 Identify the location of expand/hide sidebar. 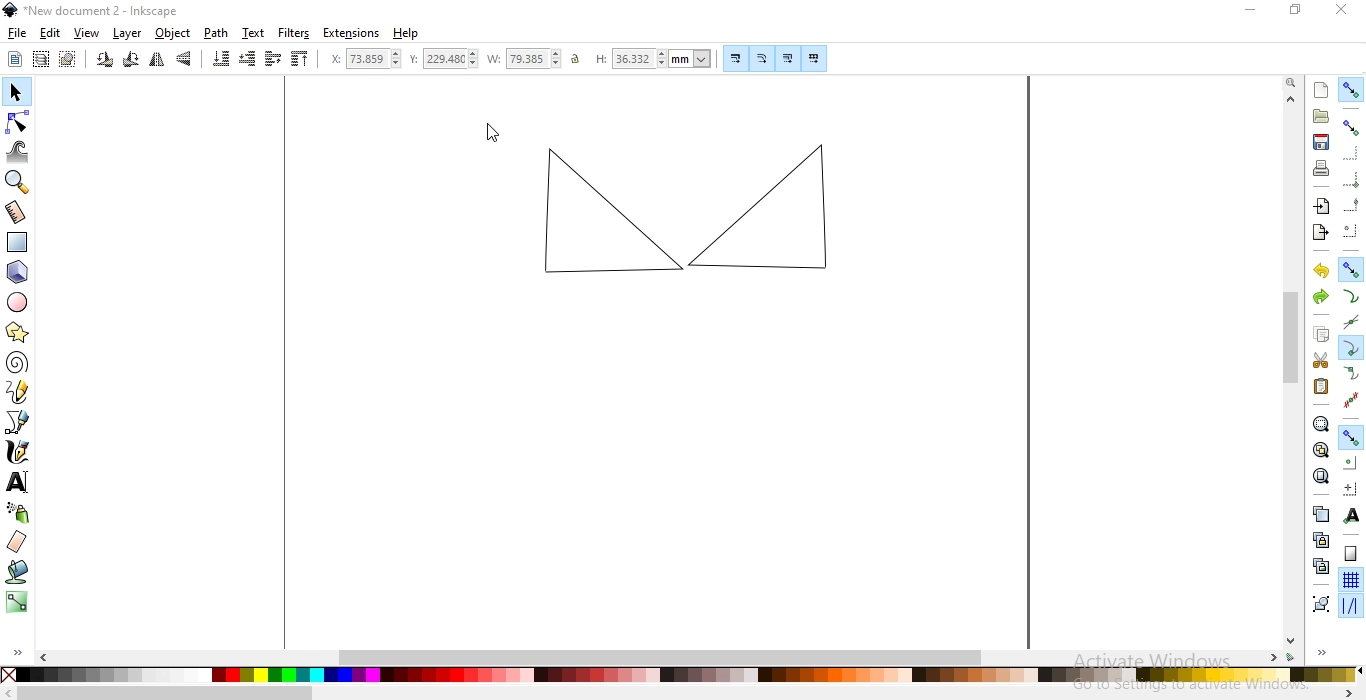
(24, 648).